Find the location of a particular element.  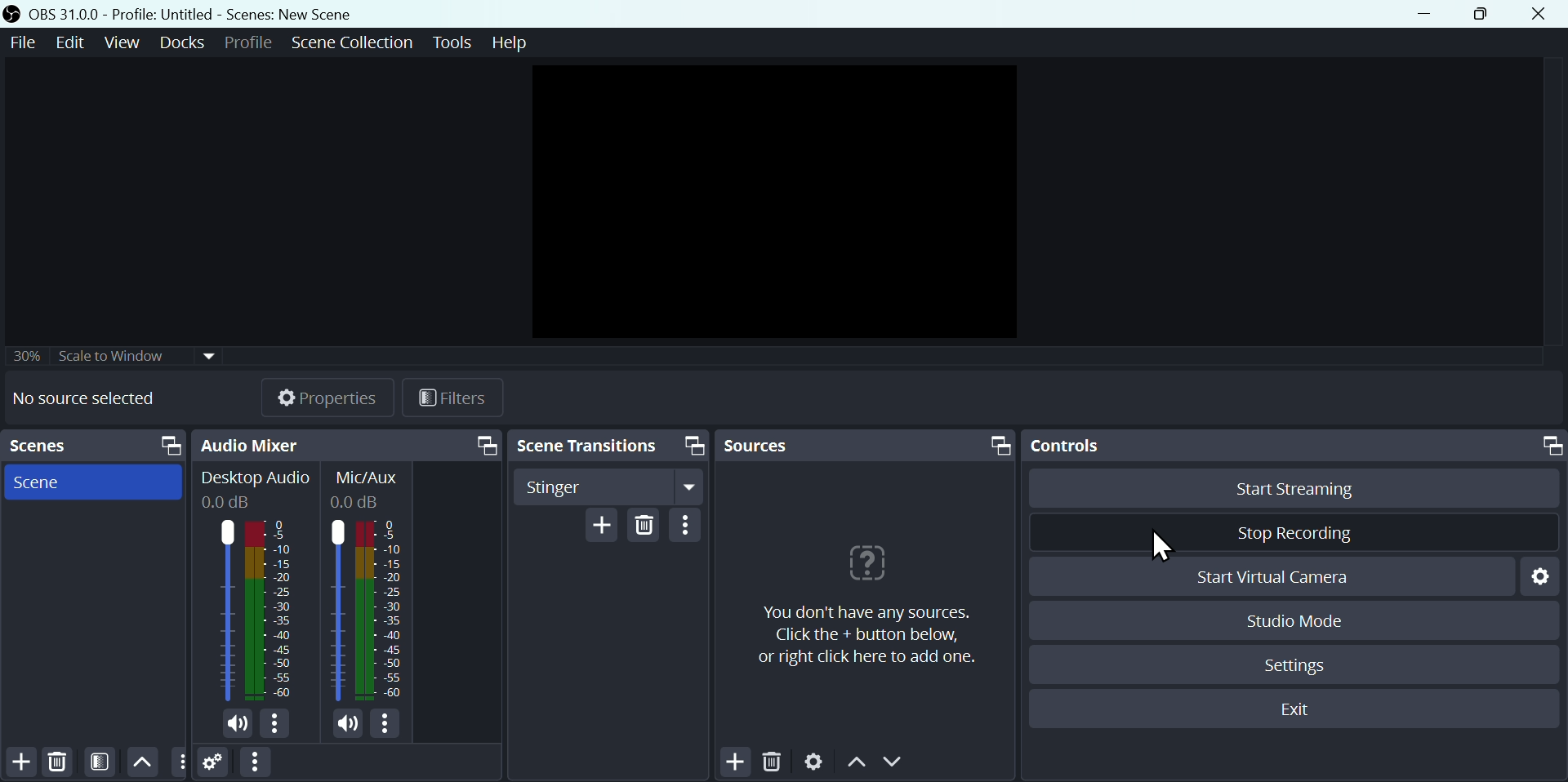

Settings is located at coordinates (817, 762).